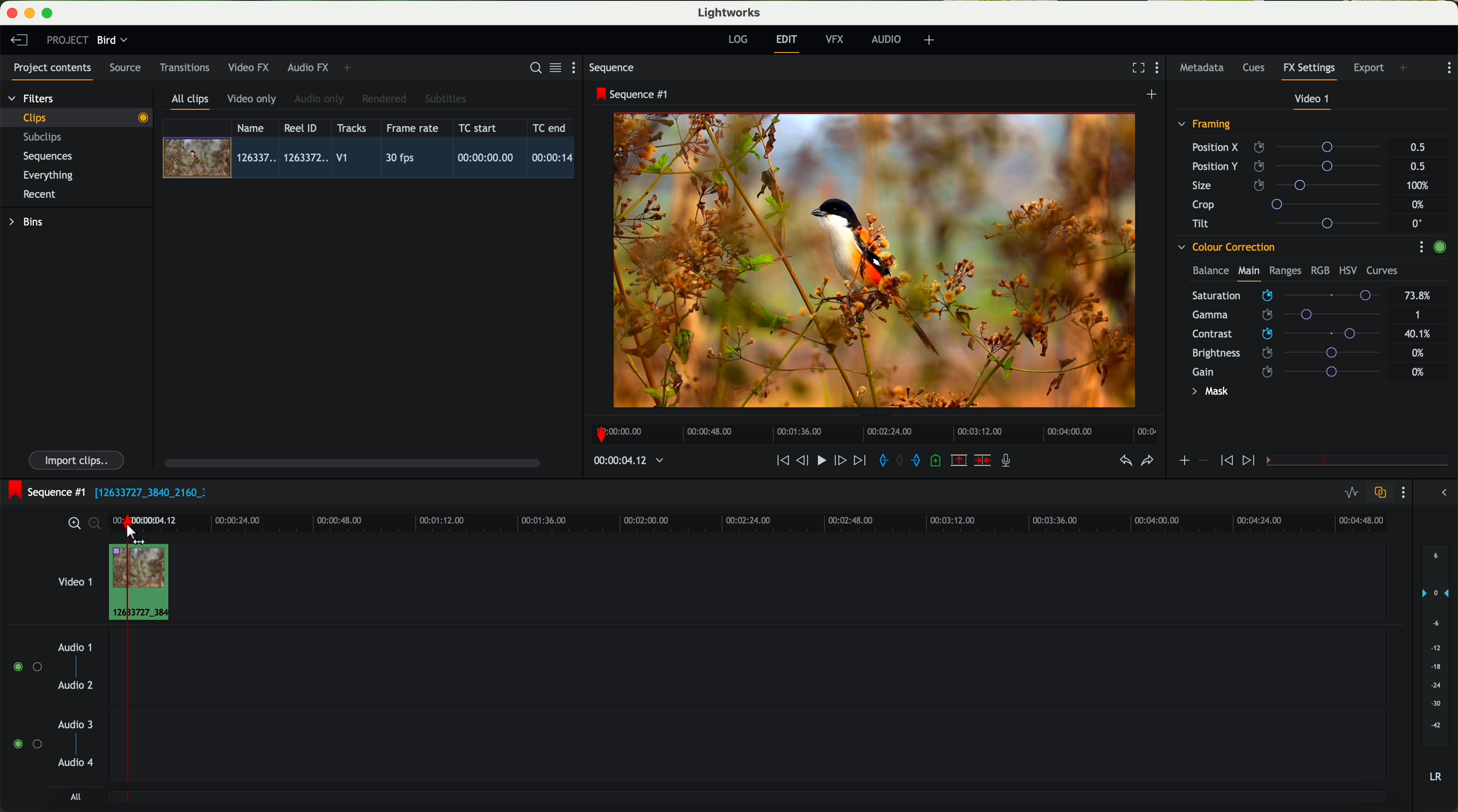 Image resolution: width=1458 pixels, height=812 pixels. What do you see at coordinates (1147, 462) in the screenshot?
I see `redo` at bounding box center [1147, 462].